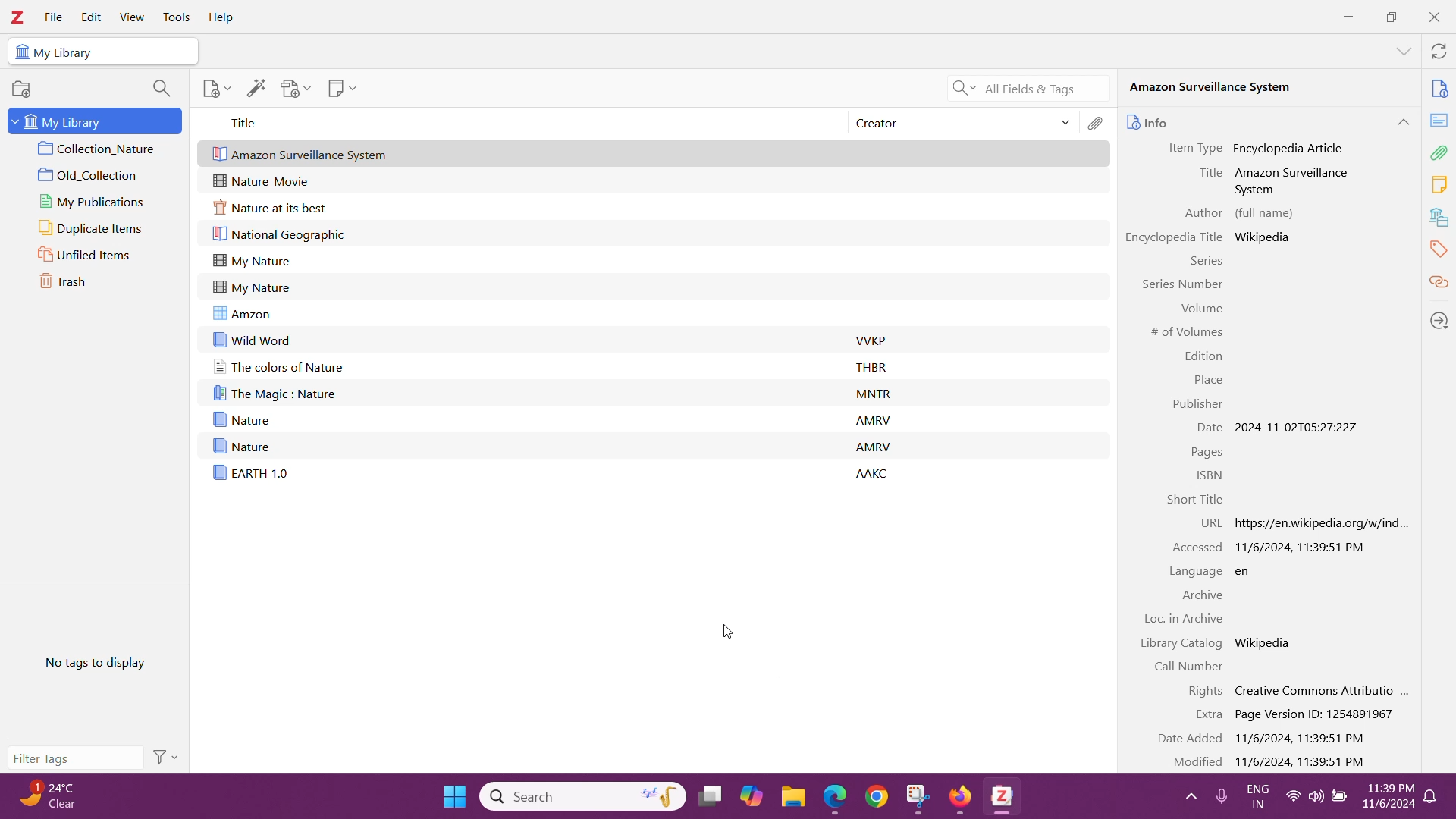 The image size is (1456, 819). Describe the element at coordinates (1193, 573) in the screenshot. I see `Language` at that location.